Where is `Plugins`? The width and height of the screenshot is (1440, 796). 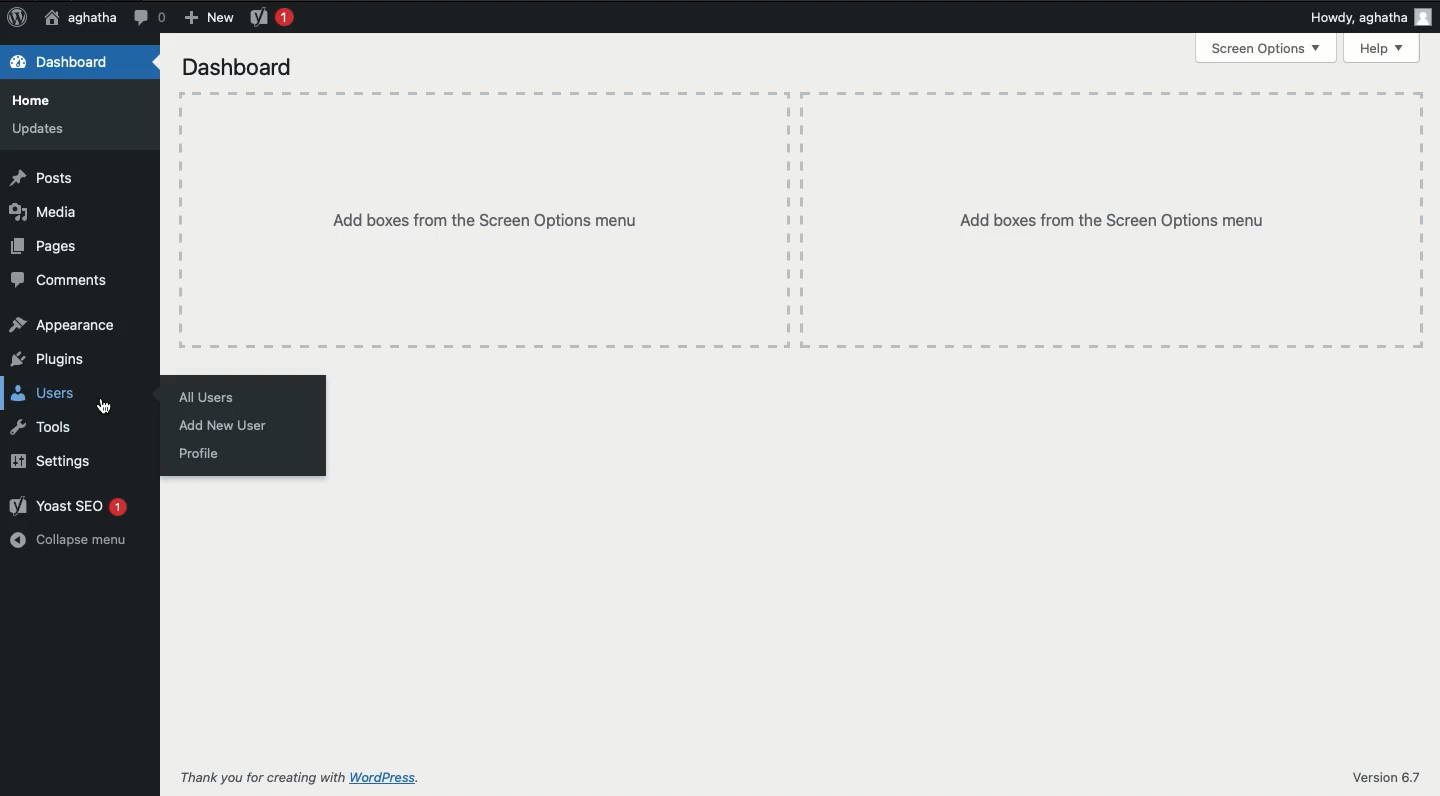
Plugins is located at coordinates (49, 359).